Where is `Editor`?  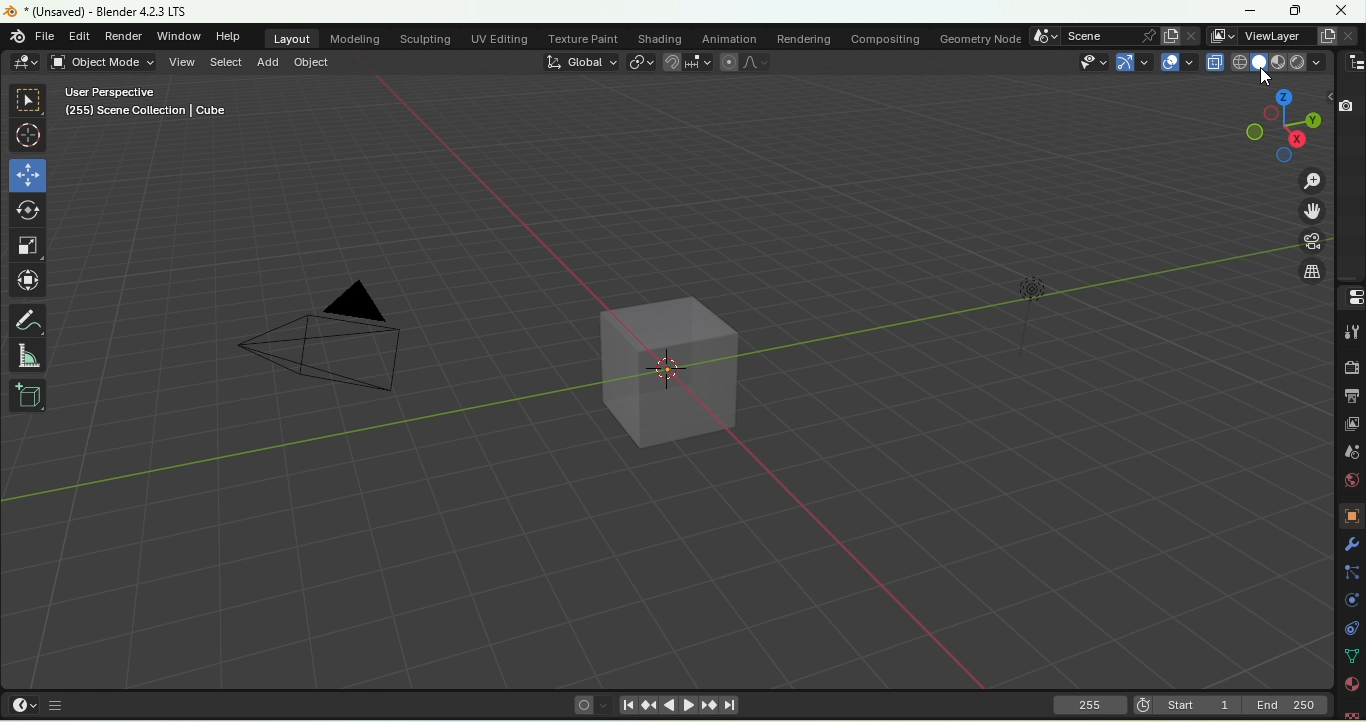
Editor is located at coordinates (27, 61).